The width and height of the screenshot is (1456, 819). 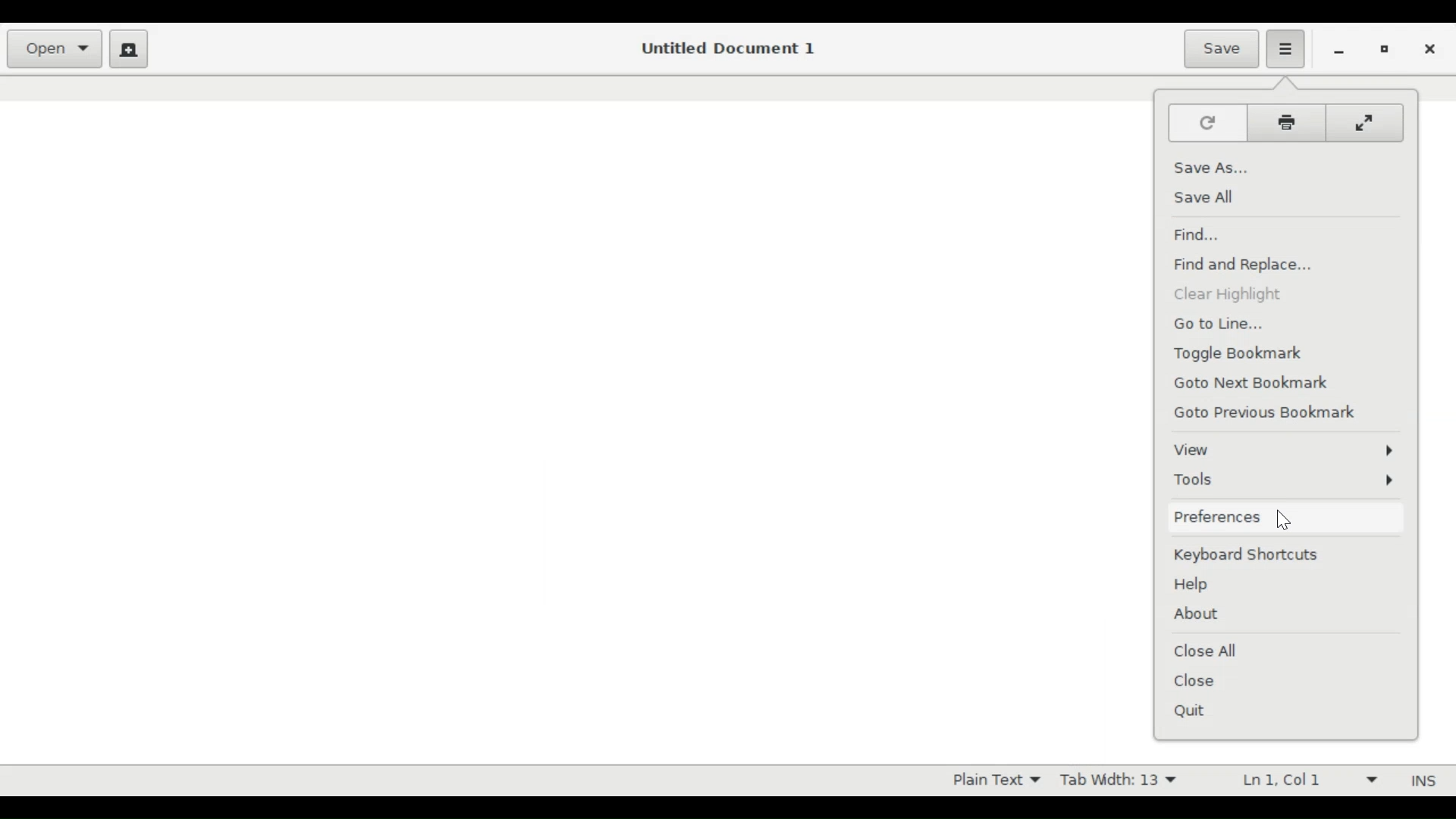 What do you see at coordinates (1289, 517) in the screenshot?
I see `Preferences` at bounding box center [1289, 517].